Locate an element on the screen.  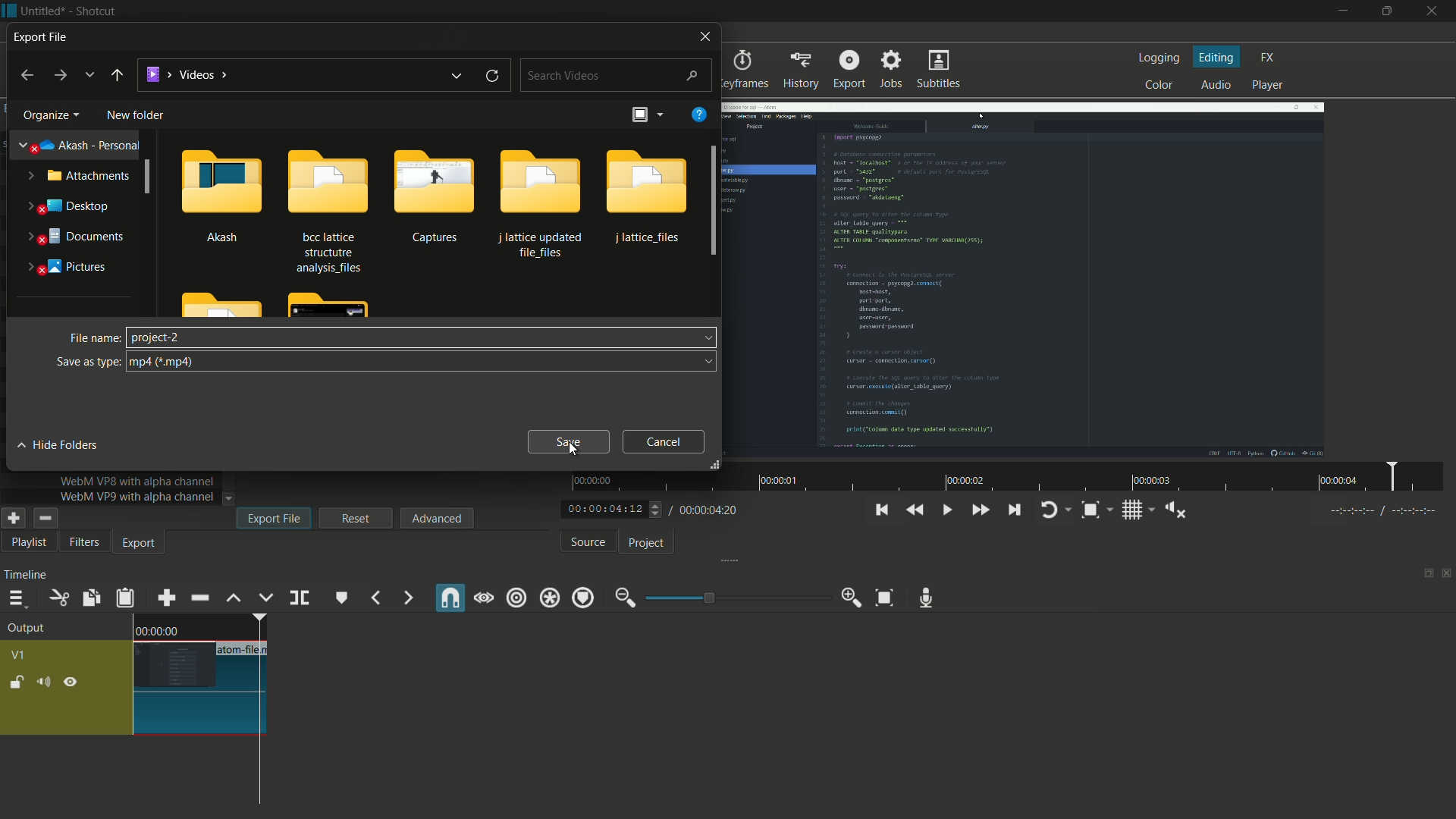
export is located at coordinates (140, 545).